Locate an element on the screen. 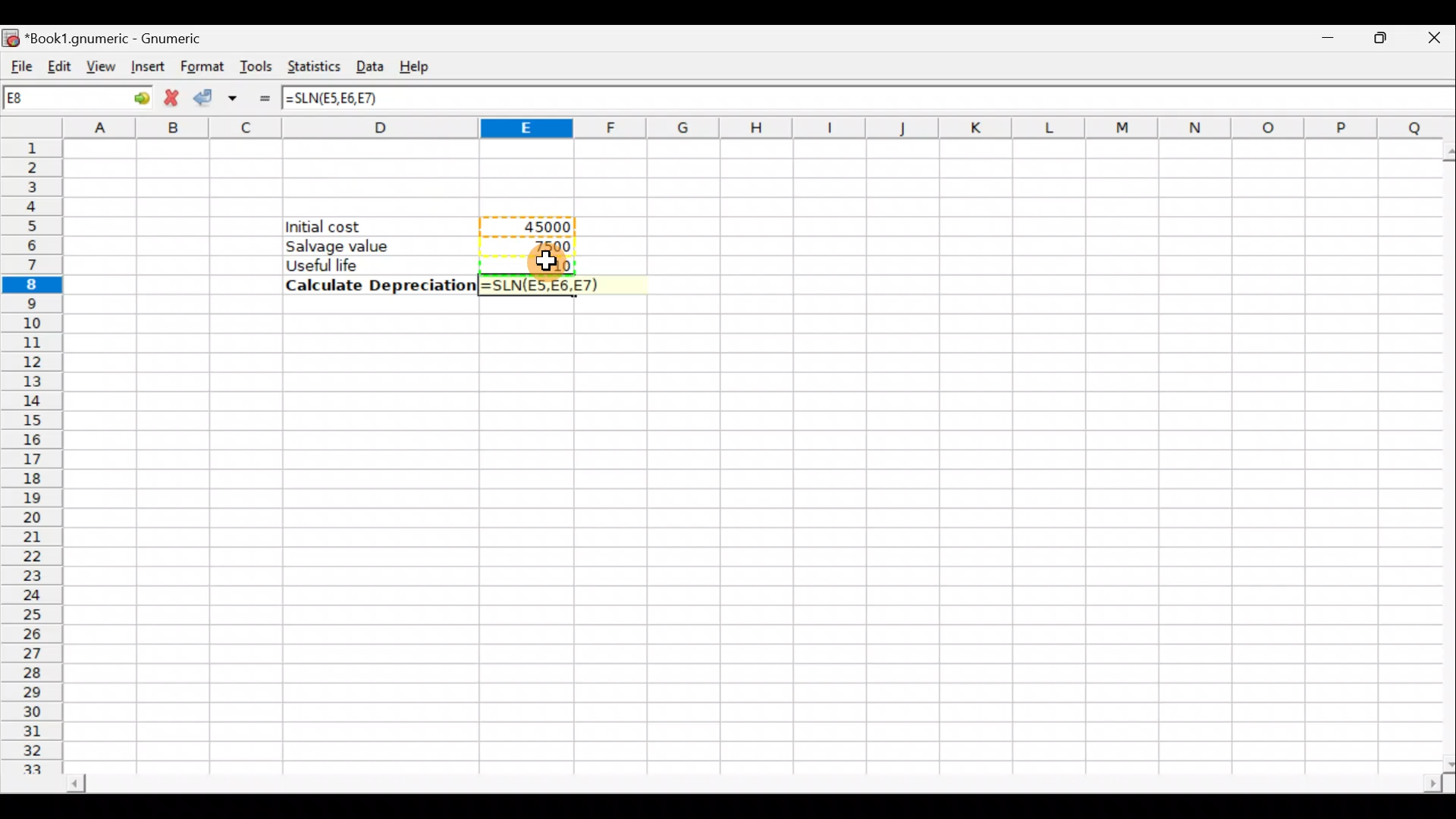 This screenshot has height=819, width=1456. Enter formula is located at coordinates (264, 97).